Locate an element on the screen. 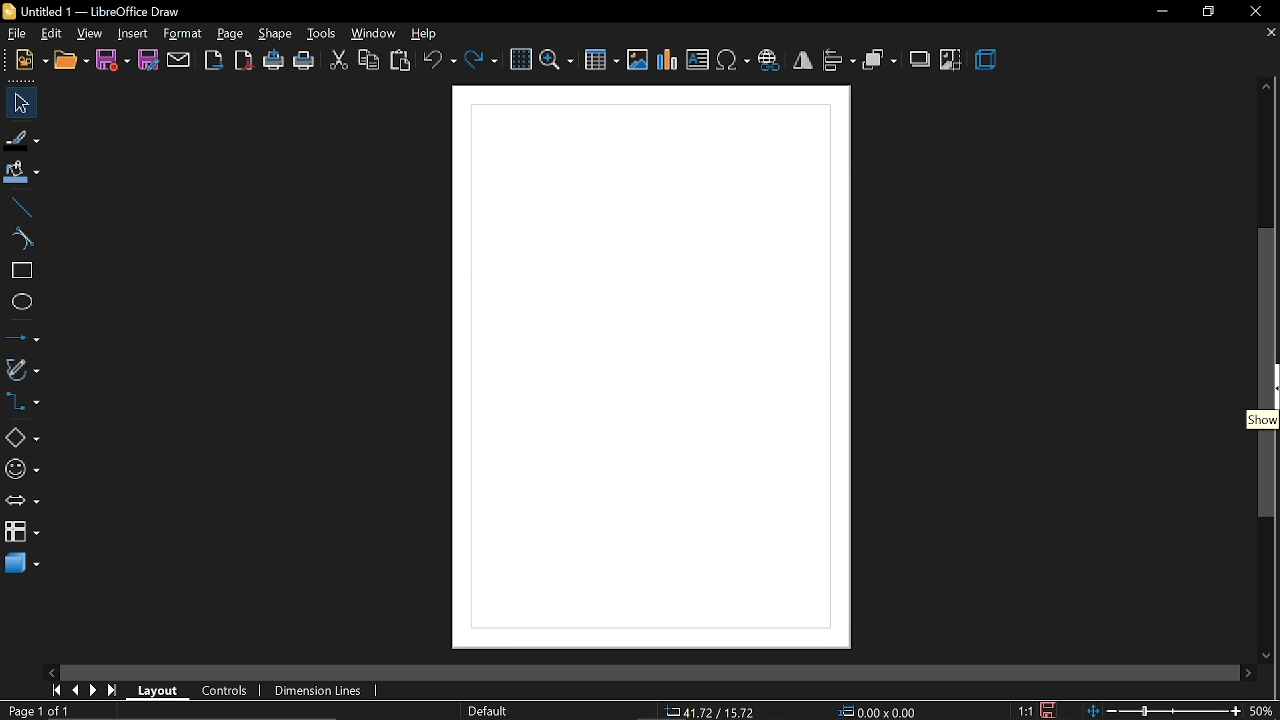 This screenshot has width=1280, height=720. copy is located at coordinates (368, 61).